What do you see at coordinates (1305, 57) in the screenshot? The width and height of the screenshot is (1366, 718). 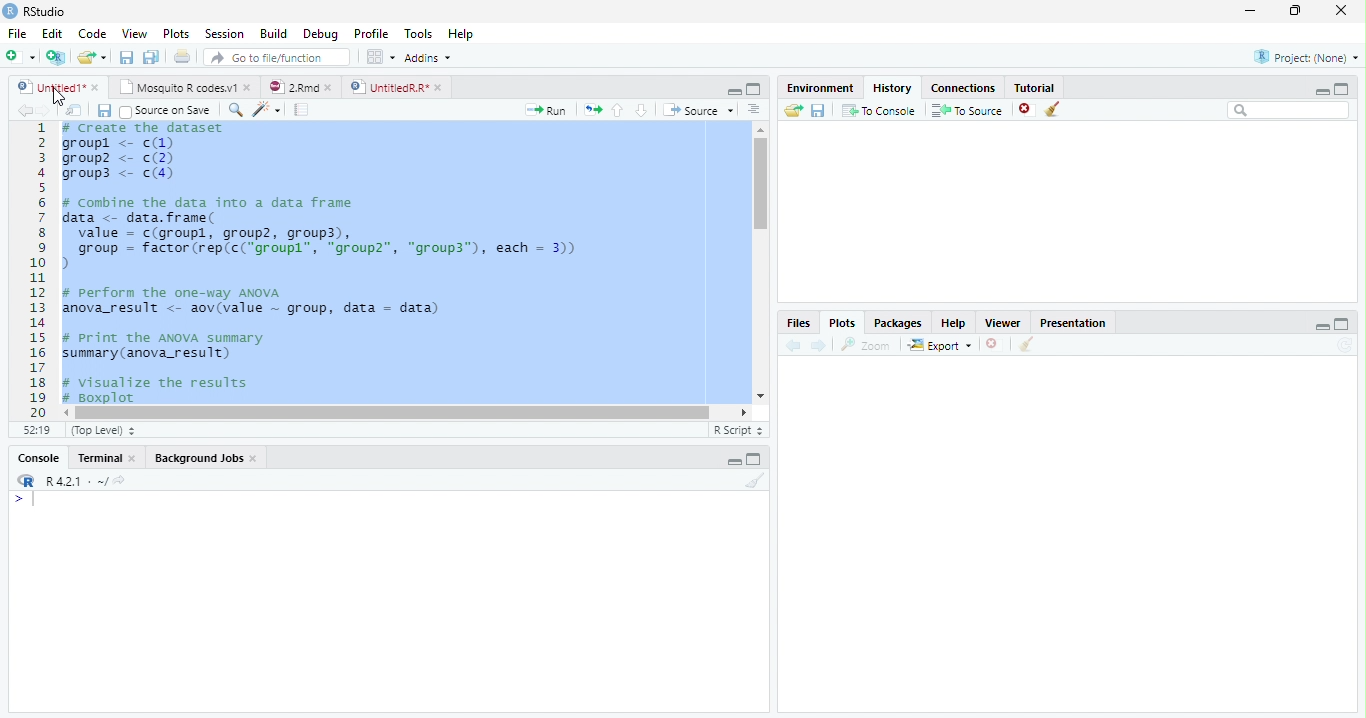 I see `Project (None)` at bounding box center [1305, 57].